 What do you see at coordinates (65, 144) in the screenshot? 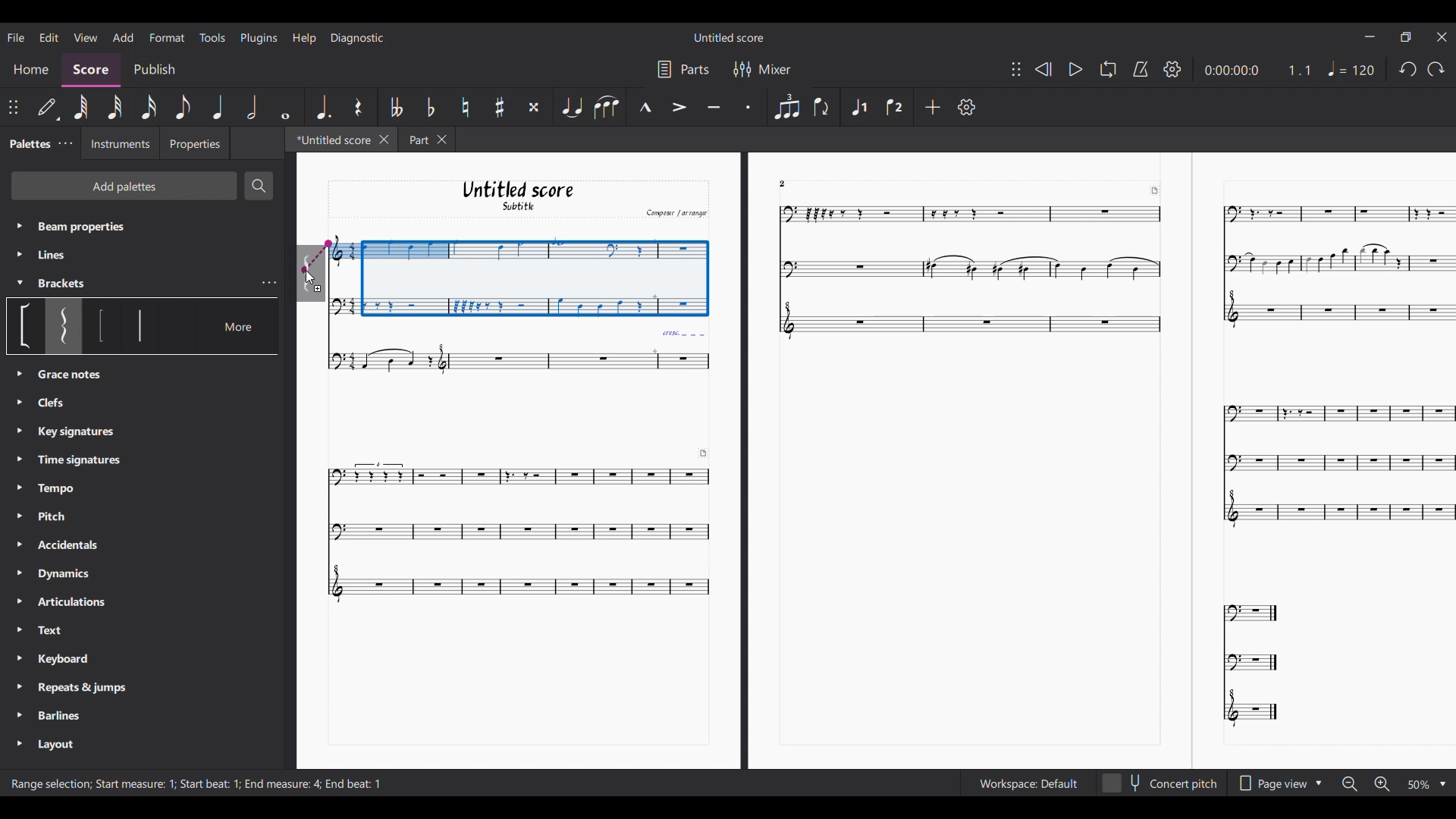
I see `Palette settings` at bounding box center [65, 144].